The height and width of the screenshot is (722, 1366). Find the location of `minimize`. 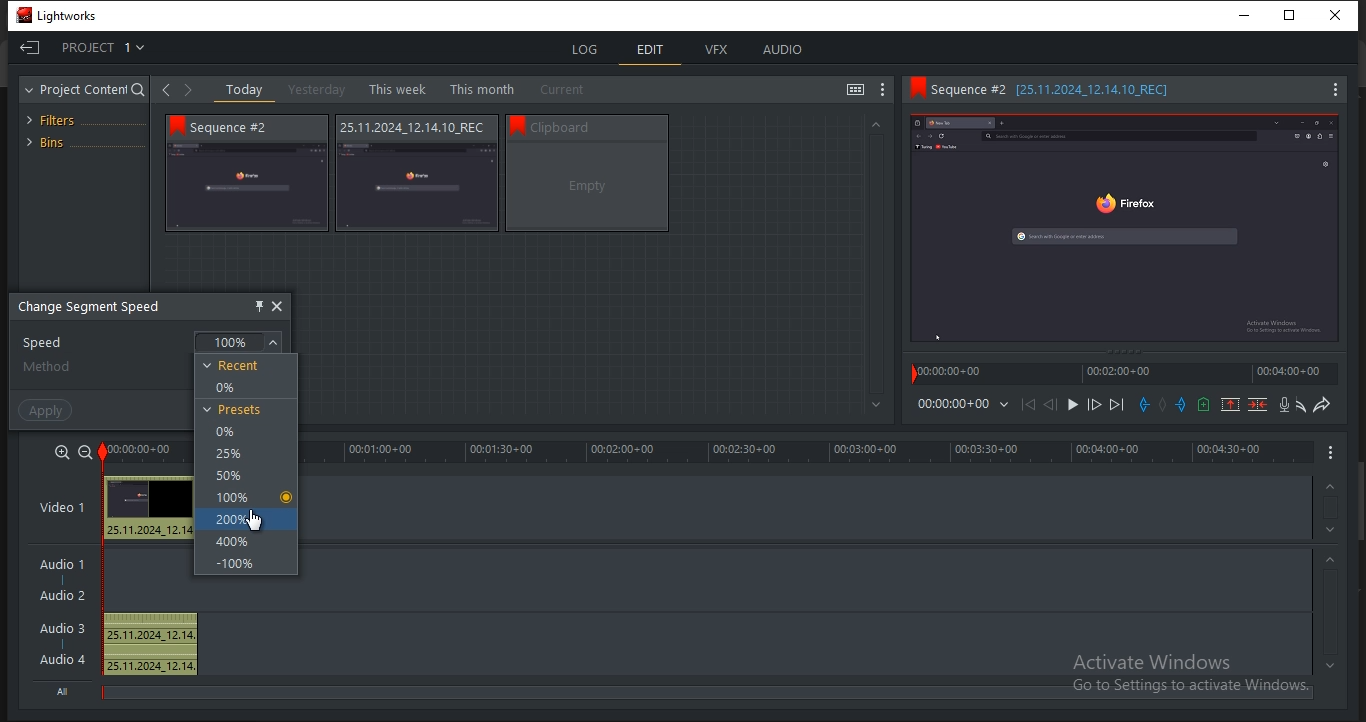

minimize is located at coordinates (1251, 14).